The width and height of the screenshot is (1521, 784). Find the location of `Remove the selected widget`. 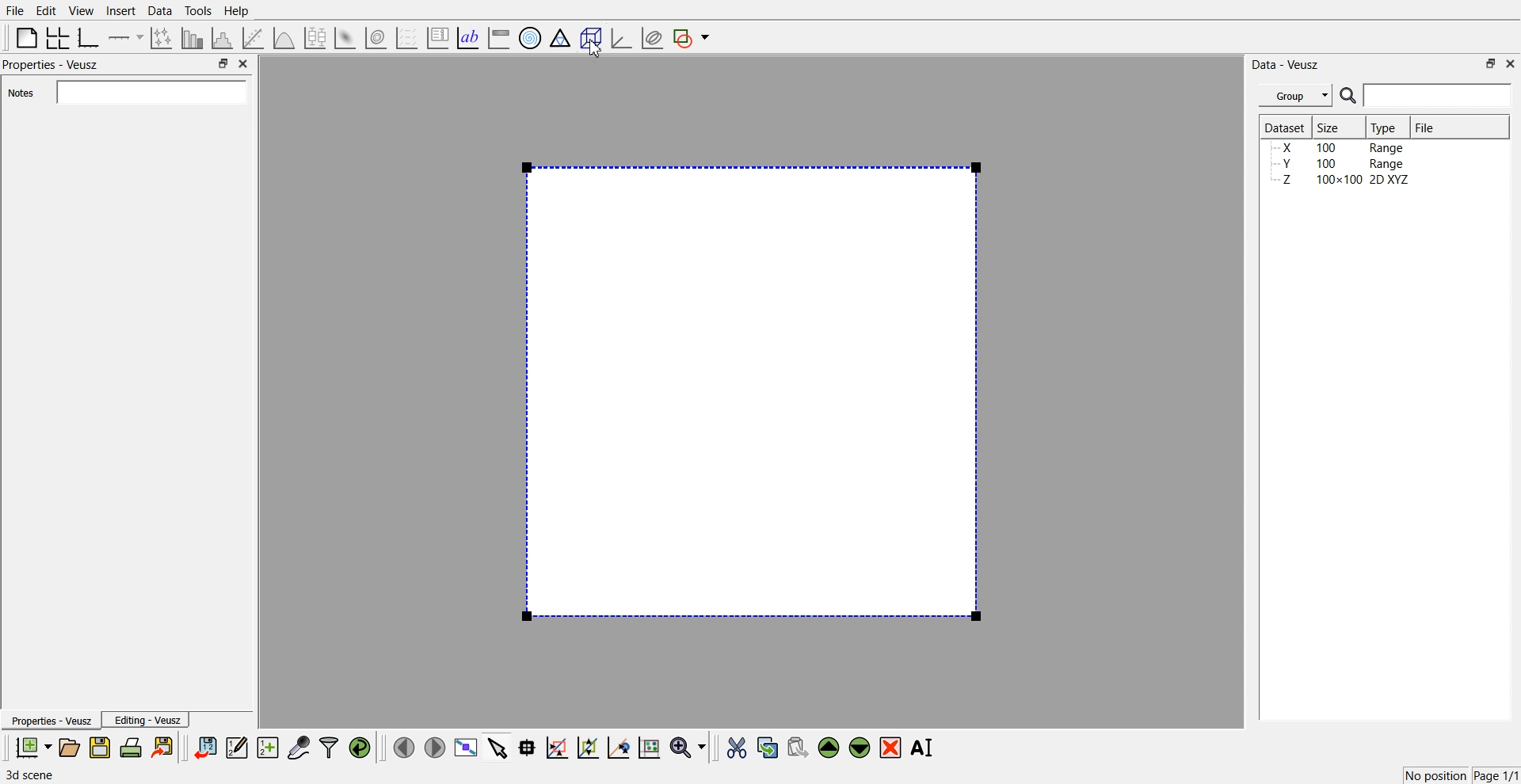

Remove the selected widget is located at coordinates (890, 748).